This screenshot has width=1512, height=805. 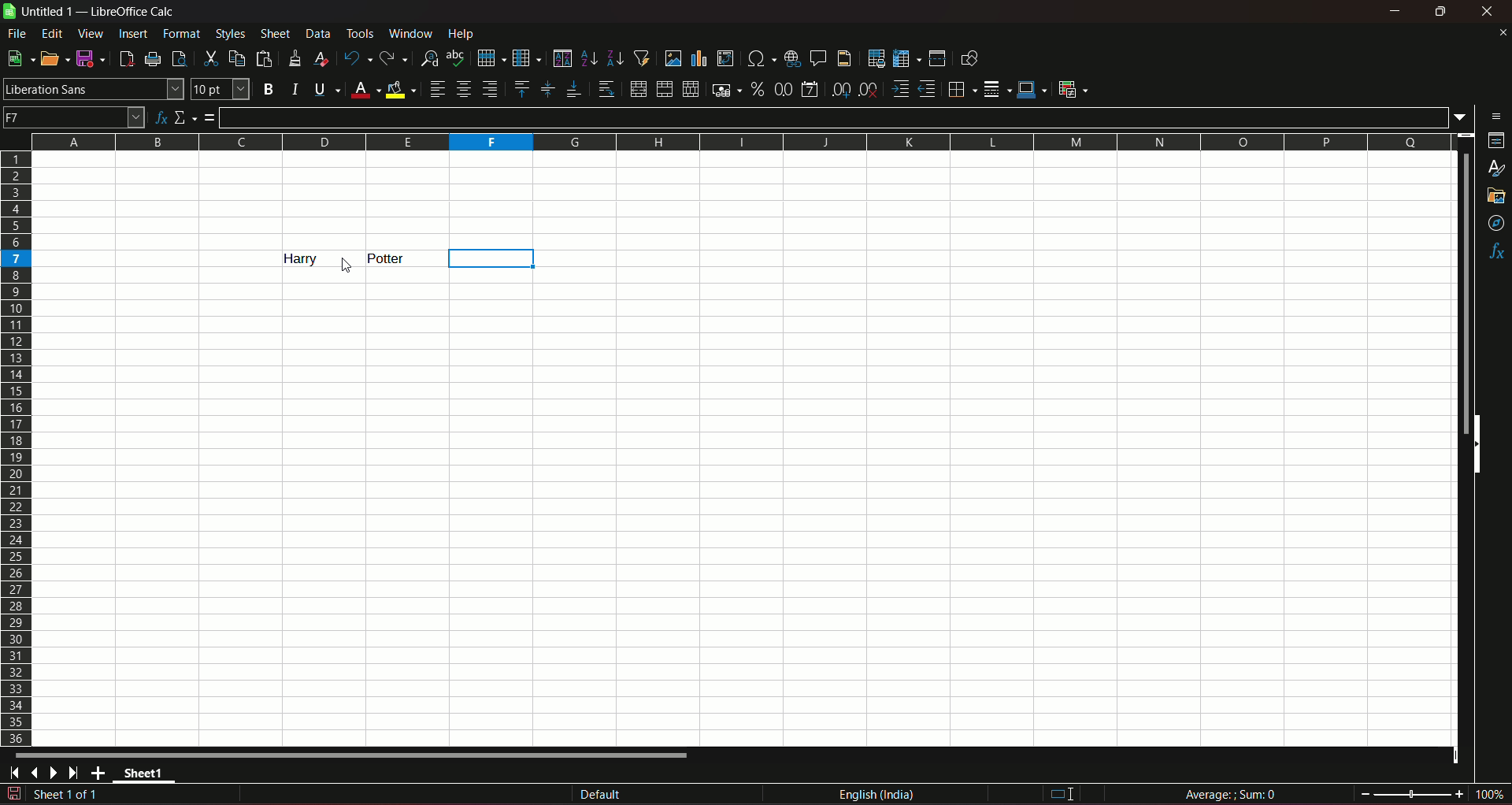 What do you see at coordinates (209, 58) in the screenshot?
I see `cut` at bounding box center [209, 58].